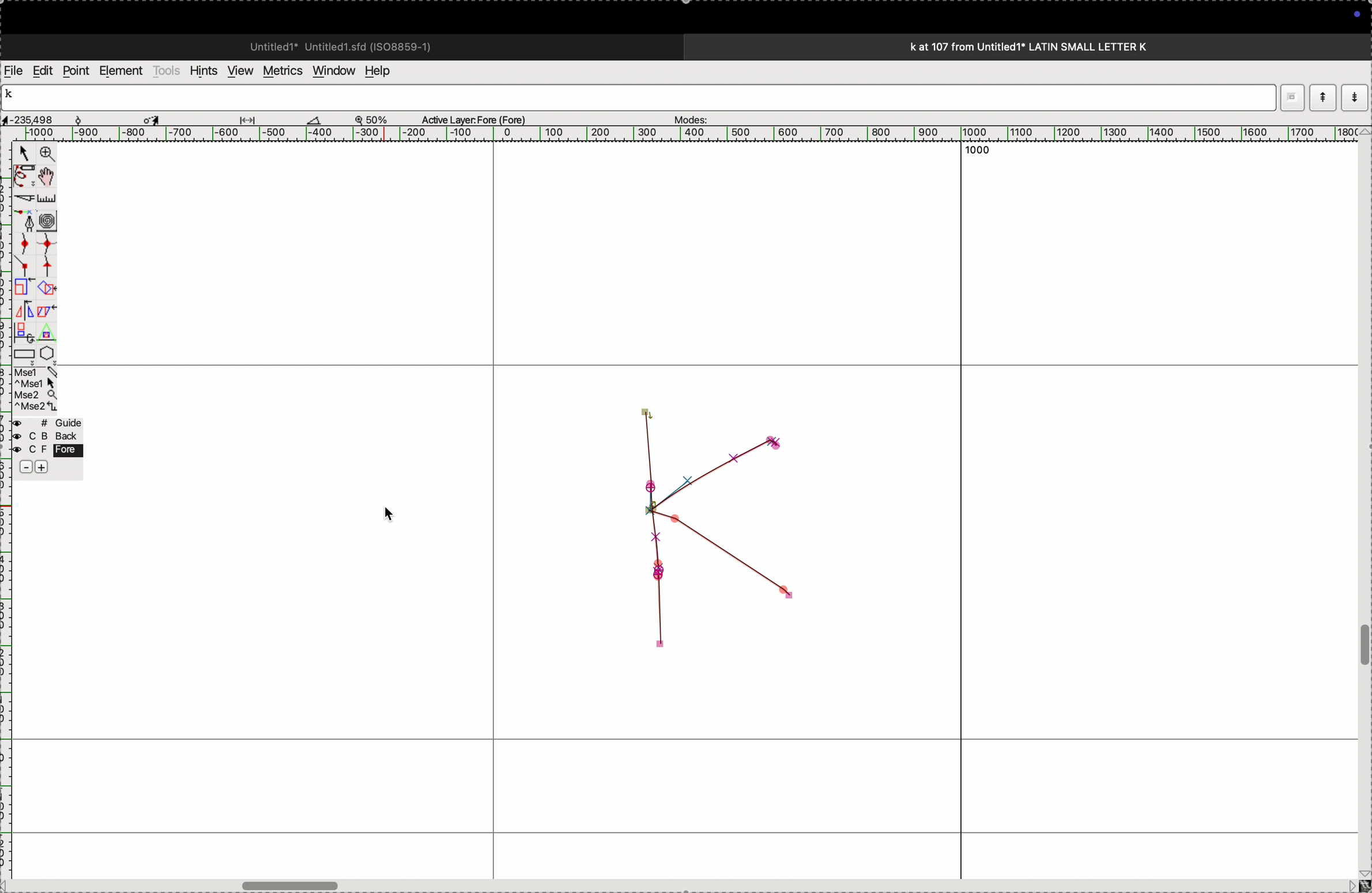 Image resolution: width=1372 pixels, height=893 pixels. What do you see at coordinates (1294, 97) in the screenshot?
I see `restore down` at bounding box center [1294, 97].